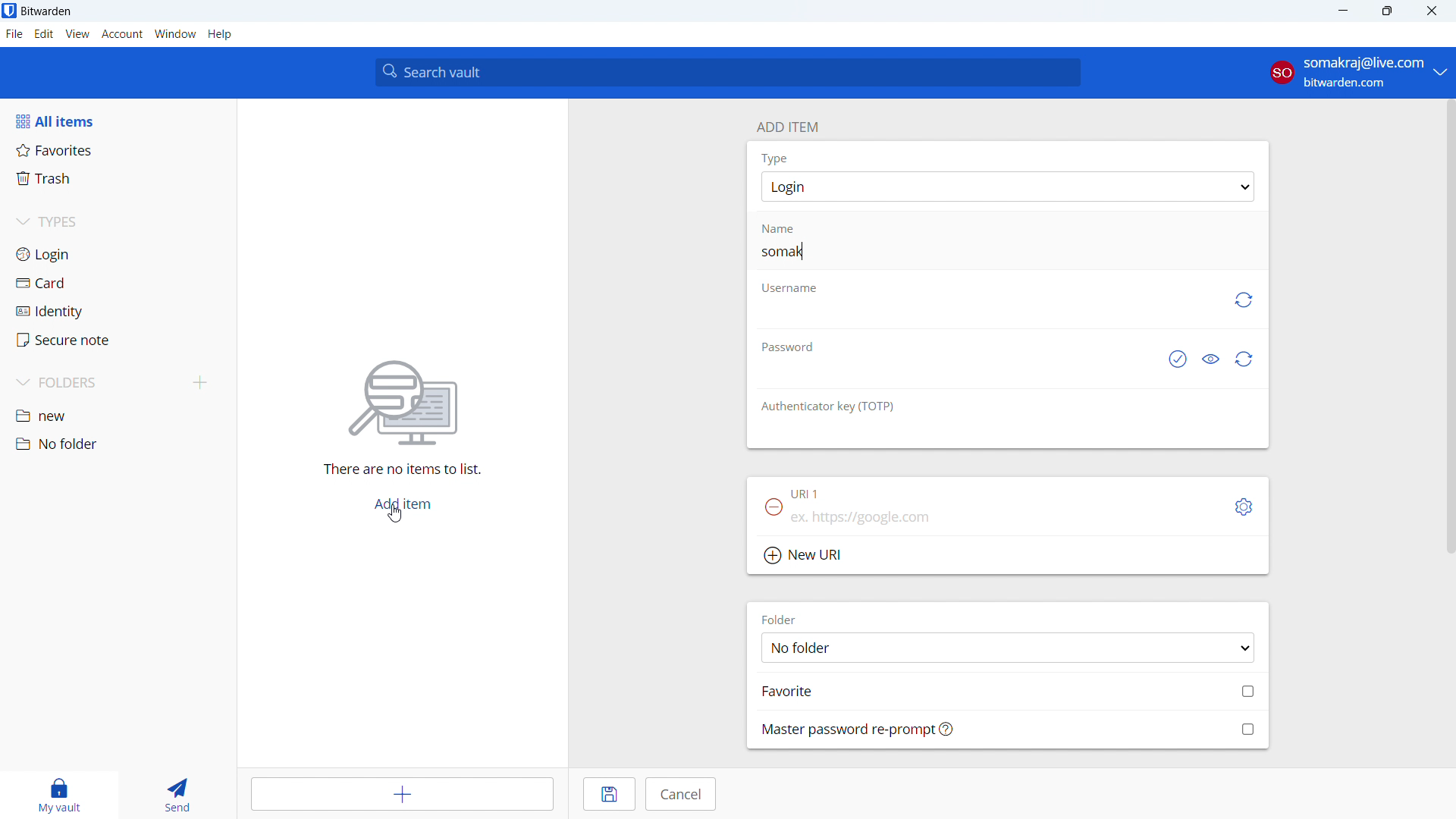 Image resolution: width=1456 pixels, height=819 pixels. Describe the element at coordinates (14, 34) in the screenshot. I see `file` at that location.